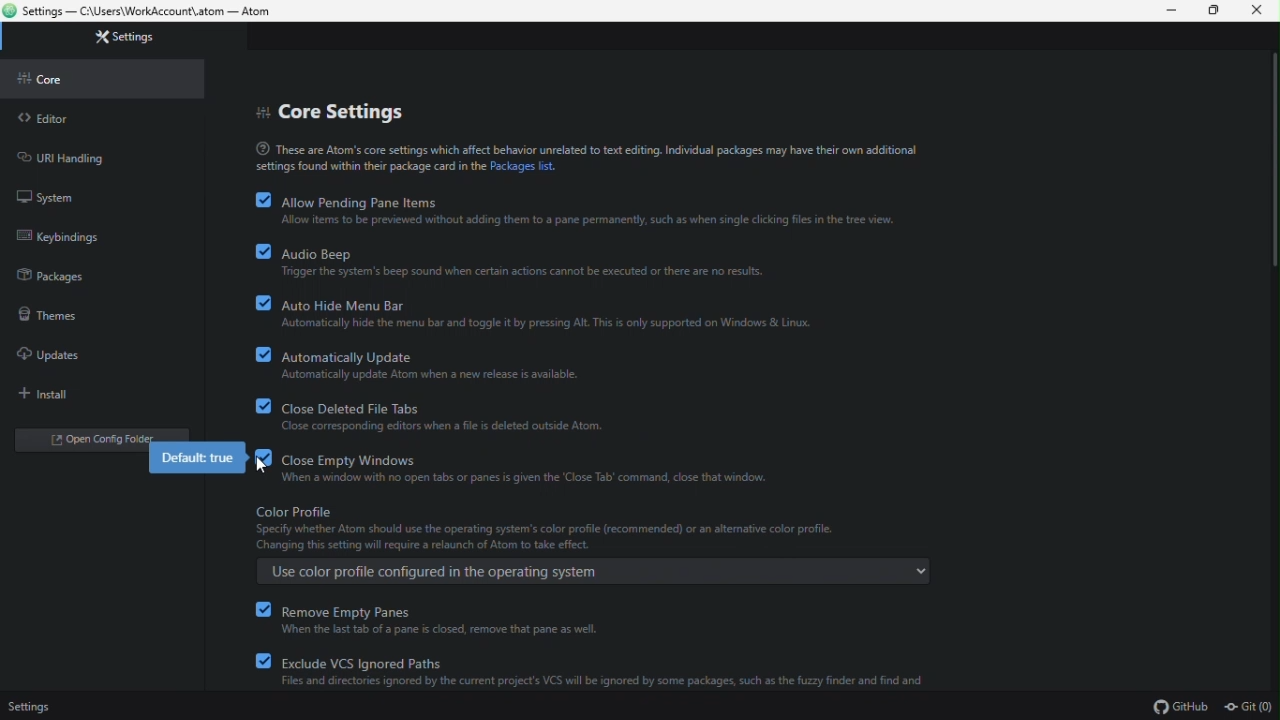 This screenshot has height=720, width=1280. I want to click on auto hide menu bar, so click(548, 312).